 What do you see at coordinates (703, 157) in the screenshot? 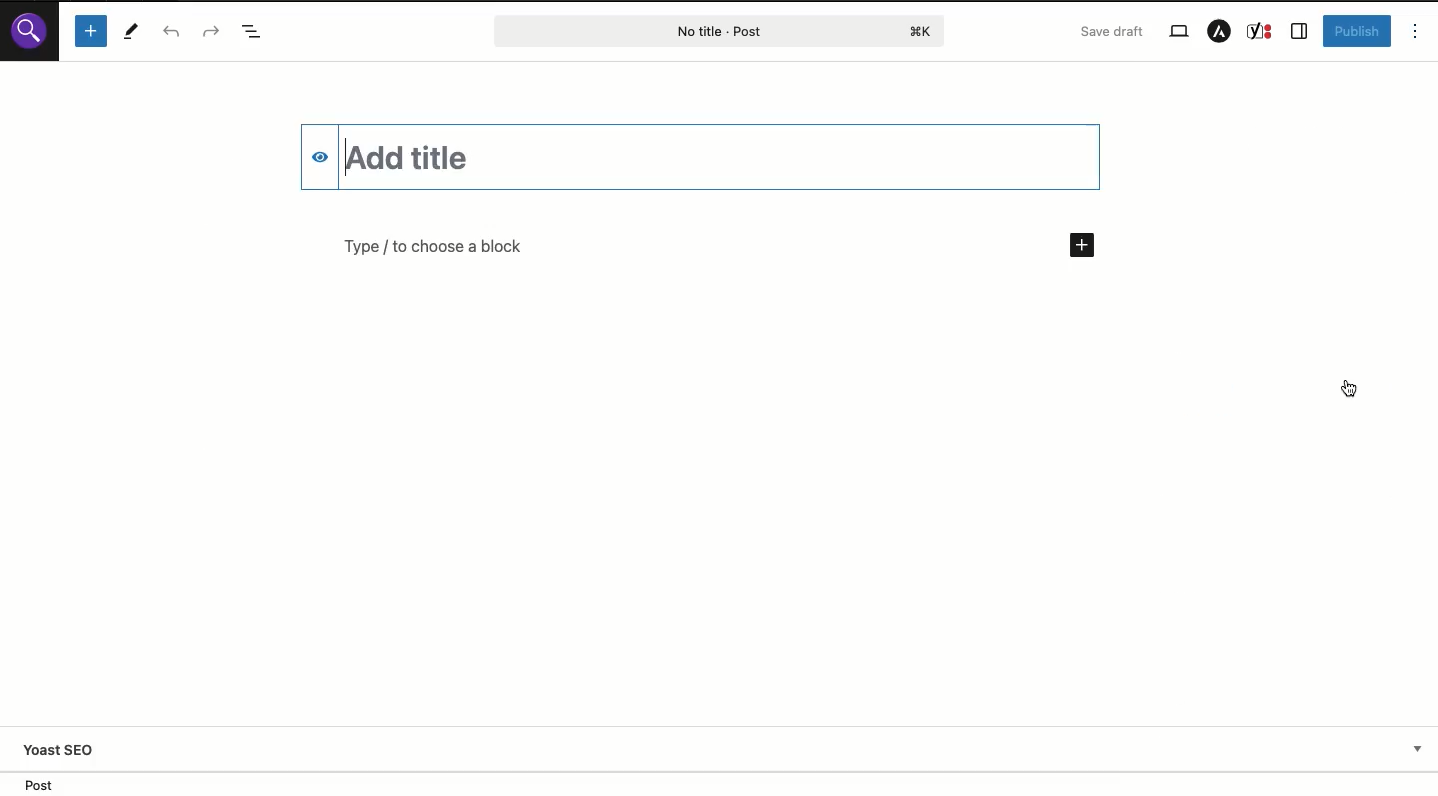
I see `Title` at bounding box center [703, 157].